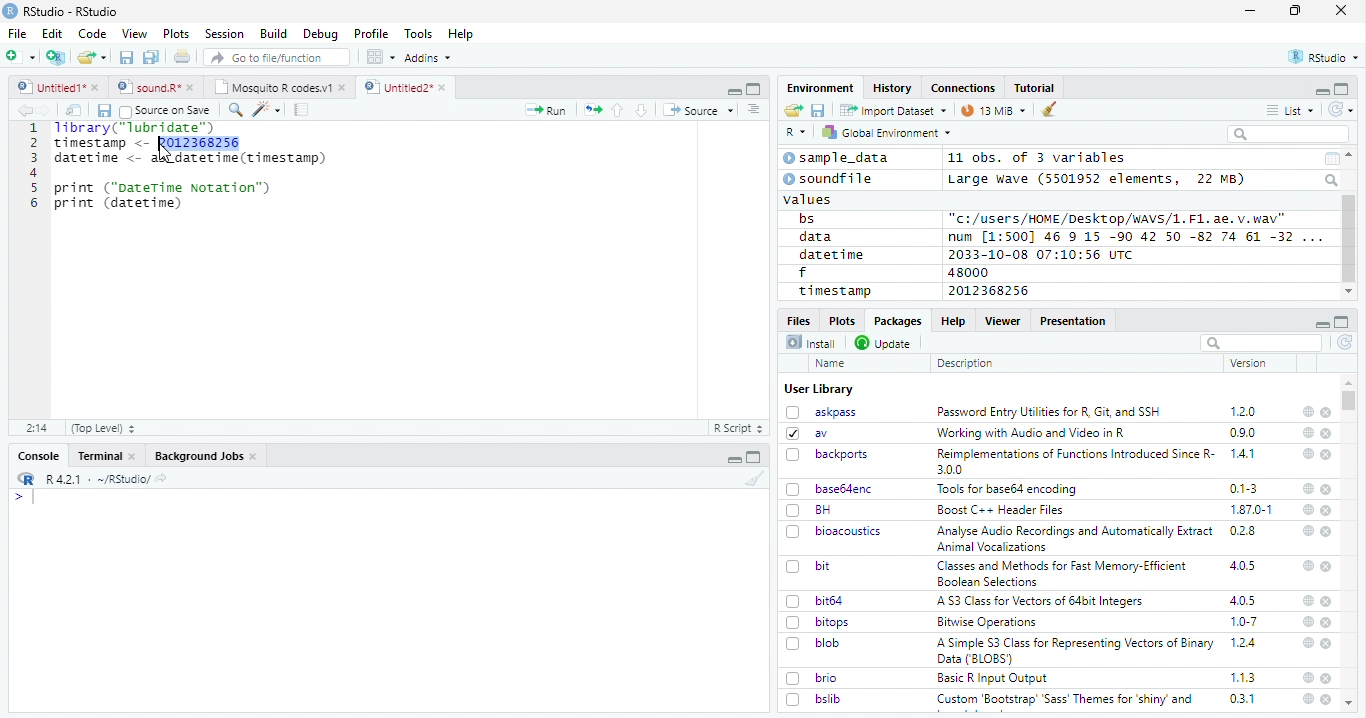 This screenshot has width=1366, height=718. What do you see at coordinates (91, 58) in the screenshot?
I see `open an existing file` at bounding box center [91, 58].